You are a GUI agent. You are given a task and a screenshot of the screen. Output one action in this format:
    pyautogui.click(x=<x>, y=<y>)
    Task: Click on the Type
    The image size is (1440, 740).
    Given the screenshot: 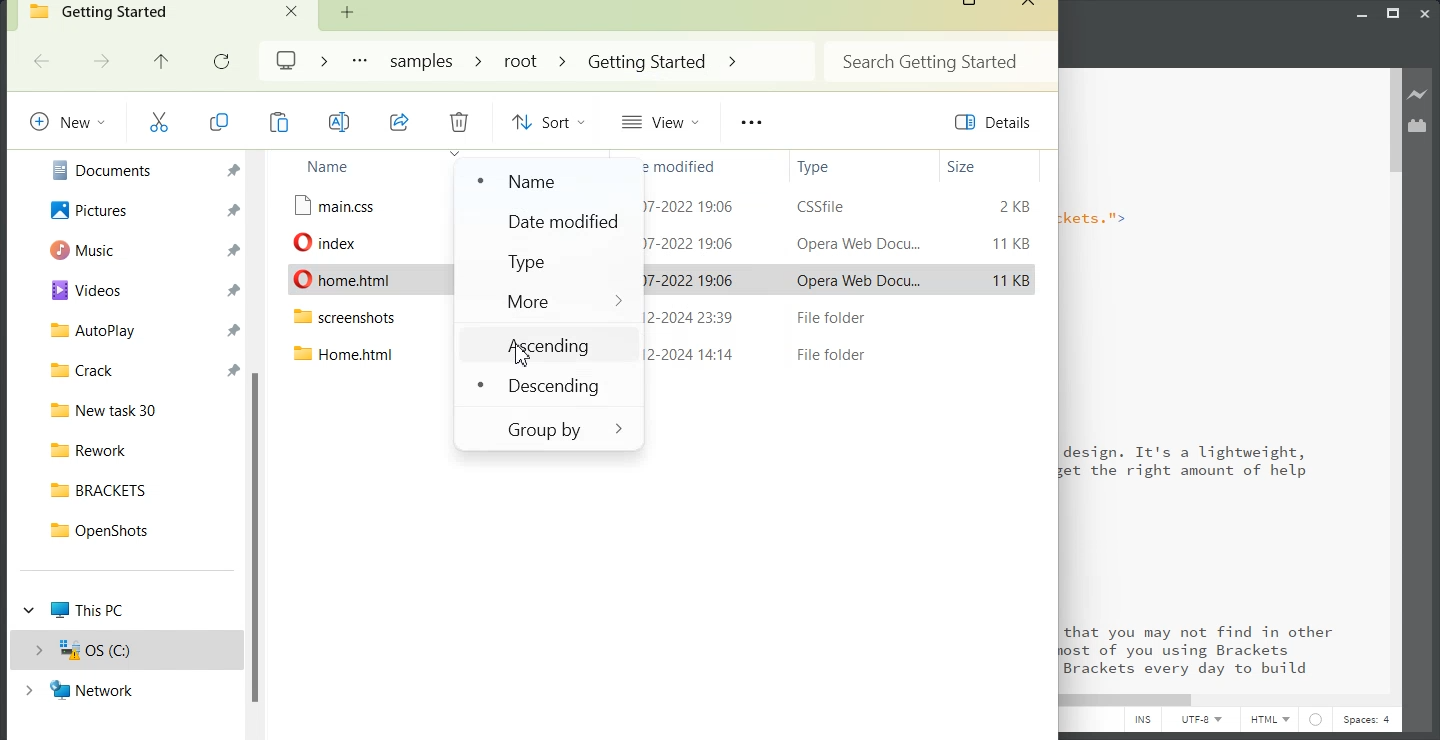 What is the action you would take?
    pyautogui.click(x=552, y=262)
    